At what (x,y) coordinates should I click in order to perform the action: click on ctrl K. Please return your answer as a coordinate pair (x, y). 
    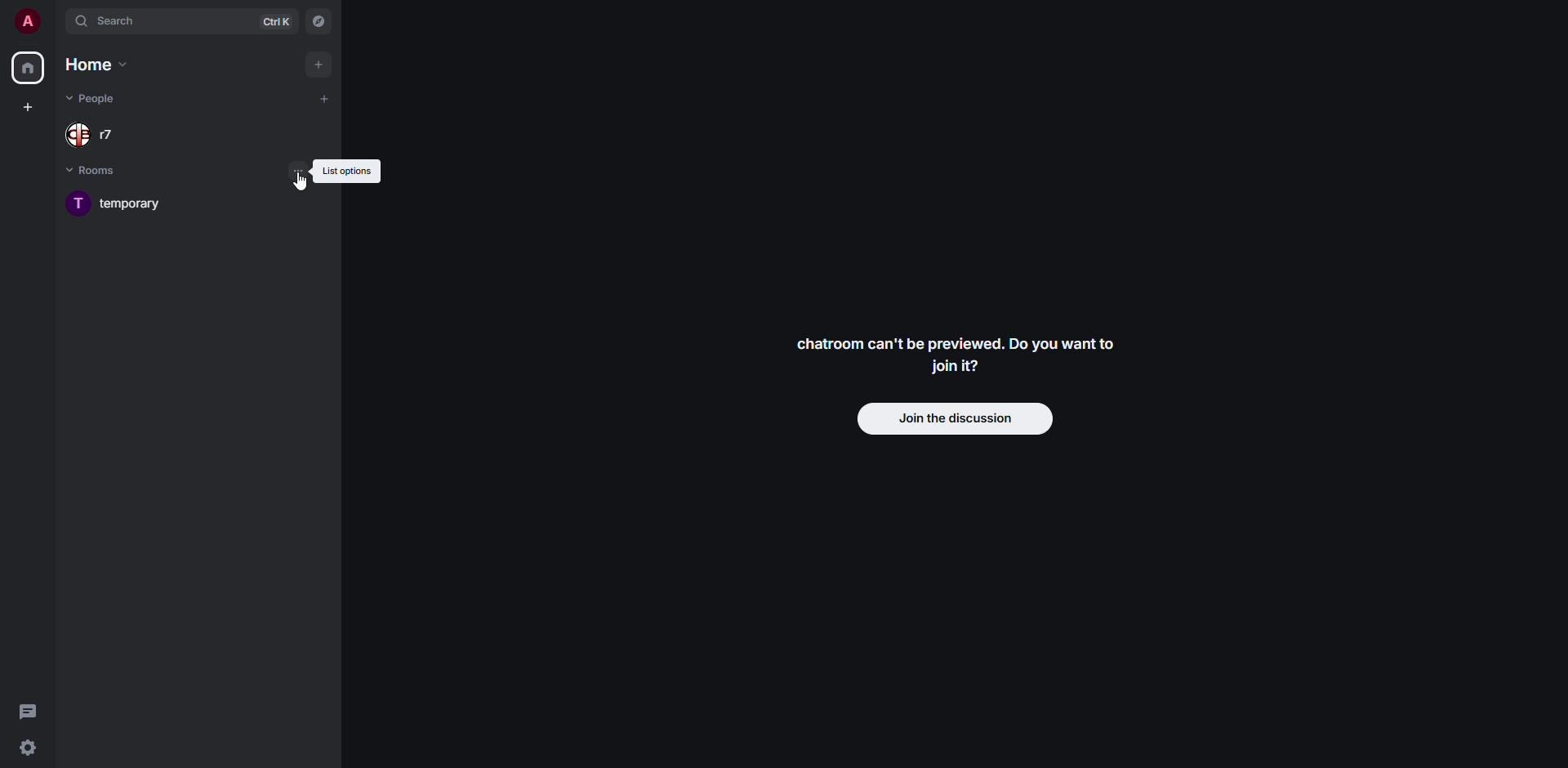
    Looking at the image, I should click on (277, 21).